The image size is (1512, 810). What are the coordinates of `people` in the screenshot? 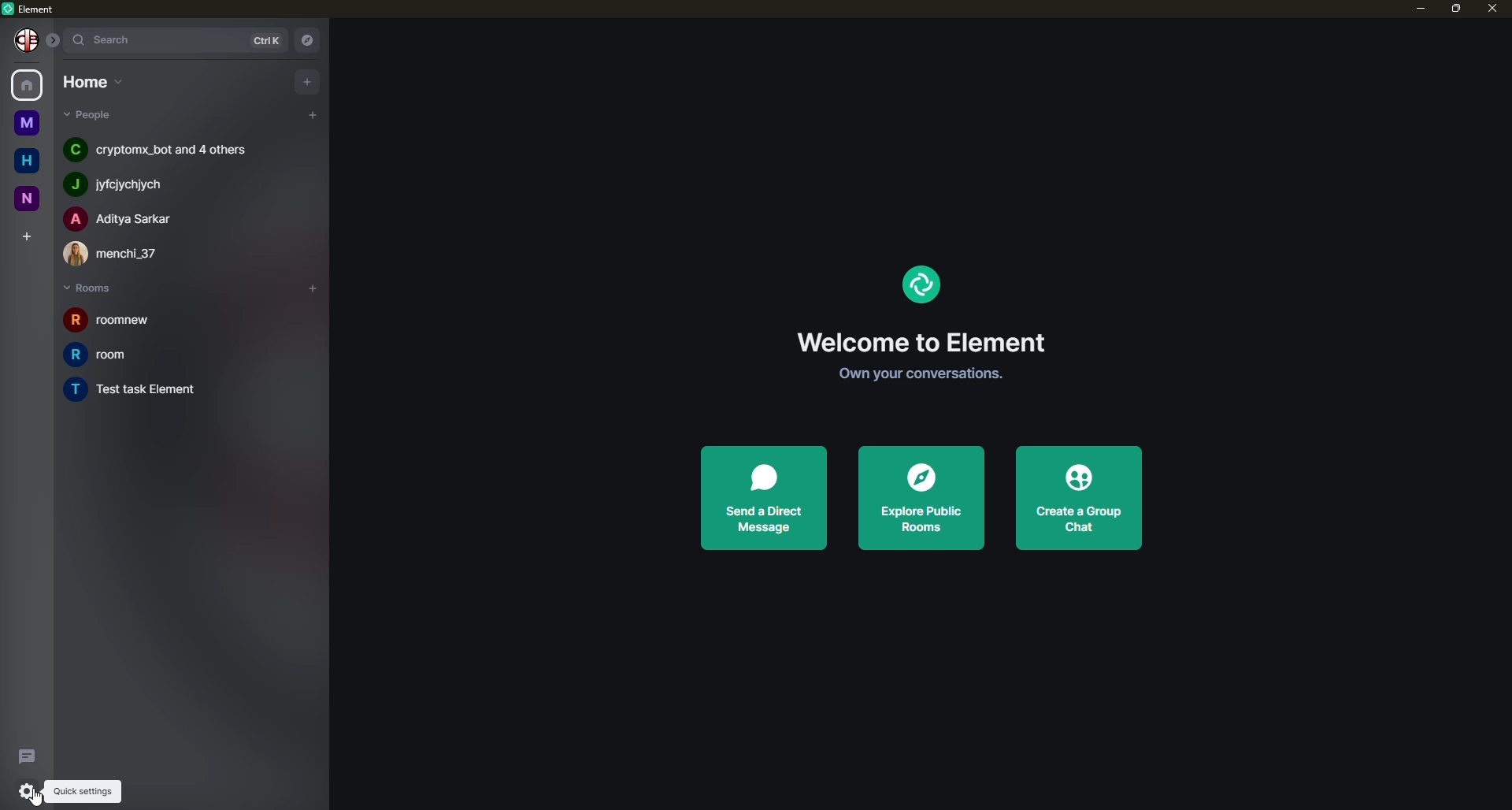 It's located at (120, 254).